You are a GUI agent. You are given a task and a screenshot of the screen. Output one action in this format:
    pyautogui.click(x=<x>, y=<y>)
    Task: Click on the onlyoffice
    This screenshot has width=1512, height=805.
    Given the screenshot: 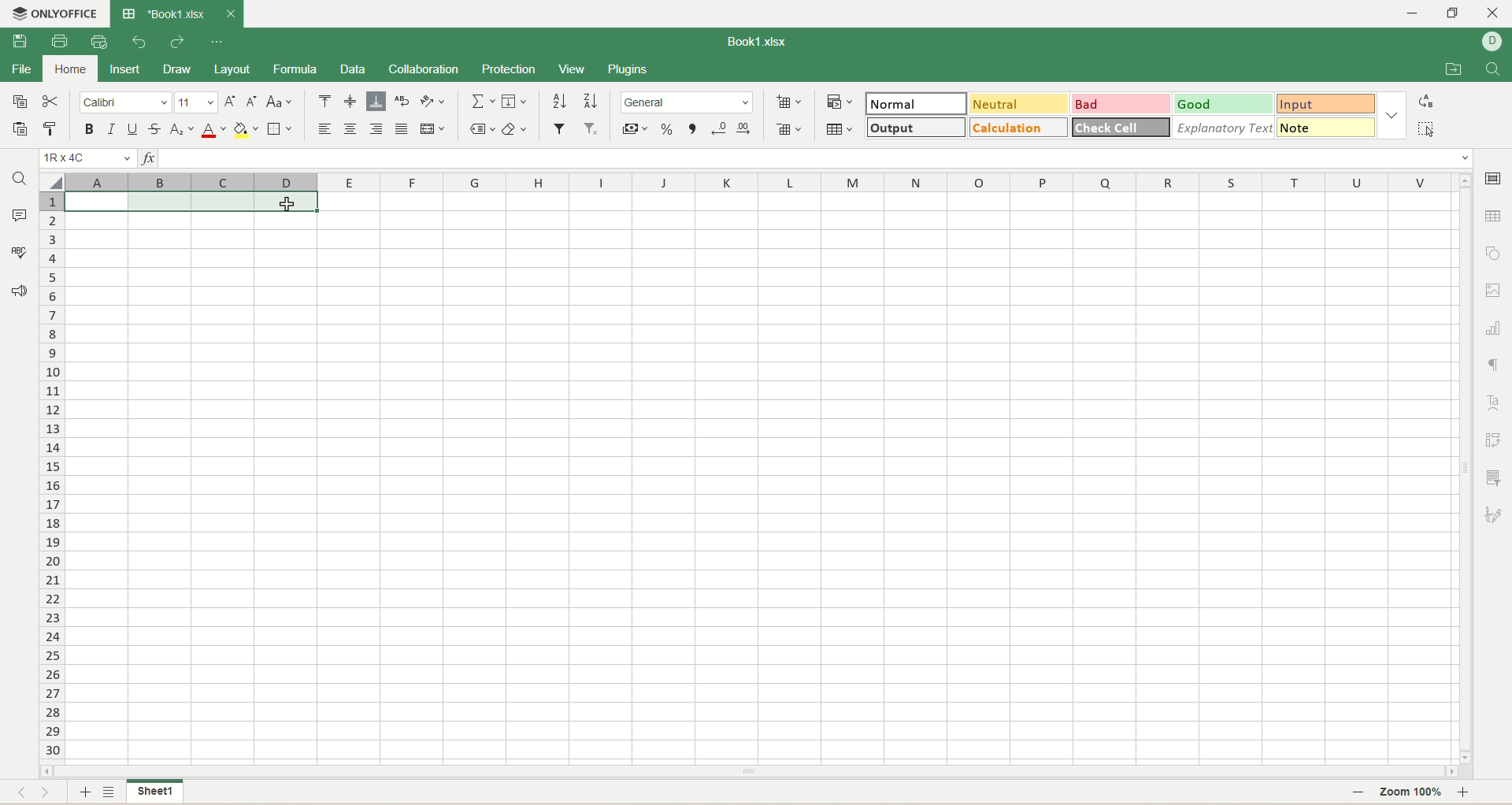 What is the action you would take?
    pyautogui.click(x=55, y=14)
    